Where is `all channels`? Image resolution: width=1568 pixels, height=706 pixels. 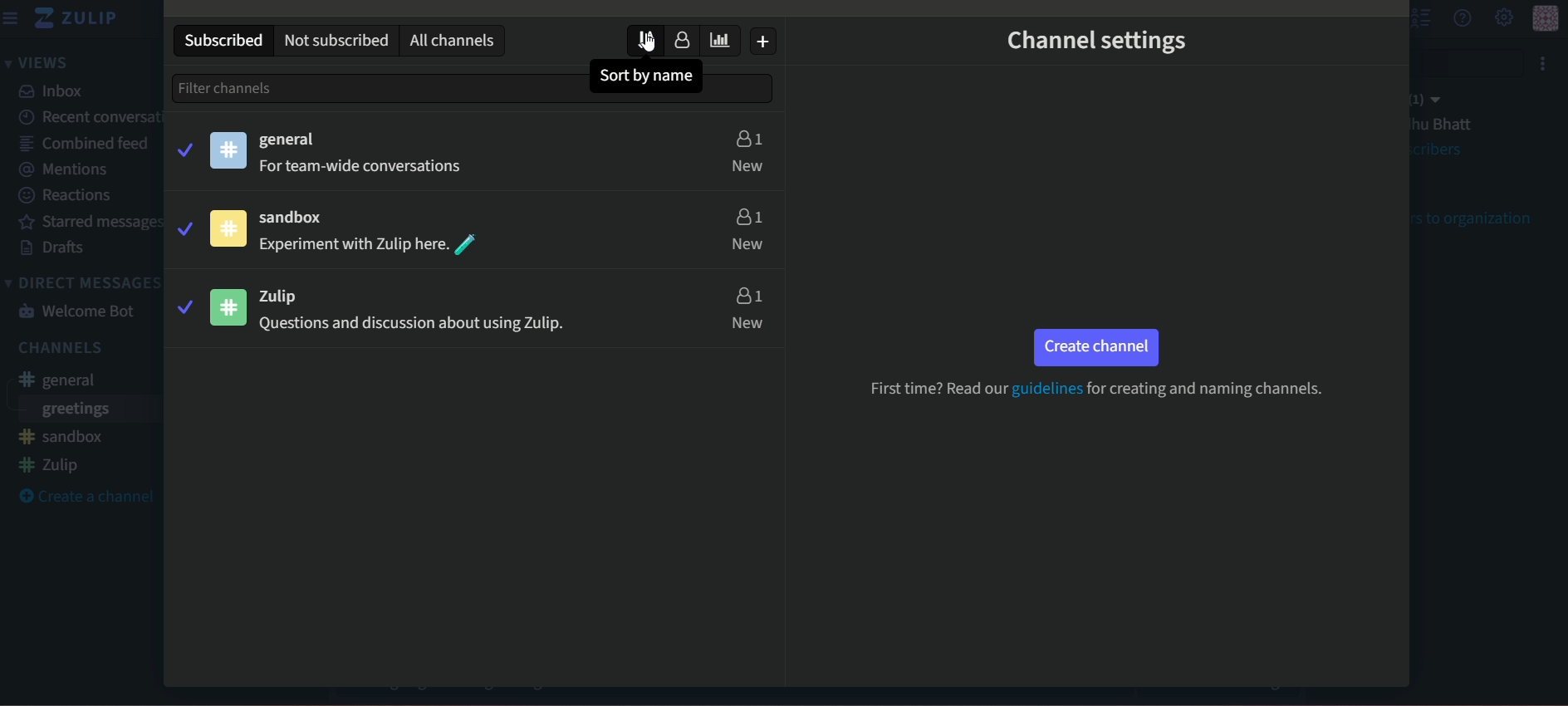
all channels is located at coordinates (453, 38).